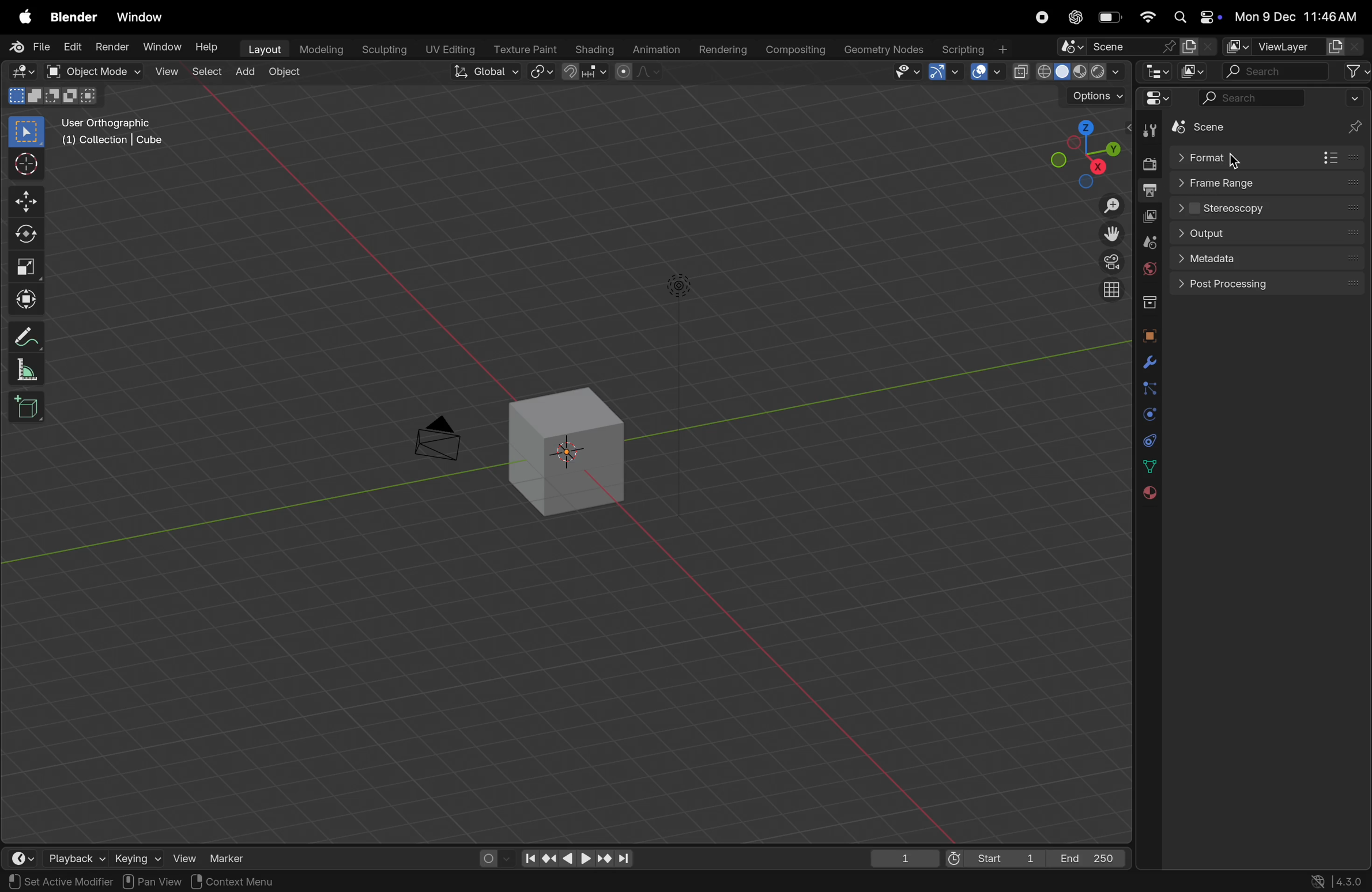 The width and height of the screenshot is (1372, 892). I want to click on Rendering, so click(726, 48).